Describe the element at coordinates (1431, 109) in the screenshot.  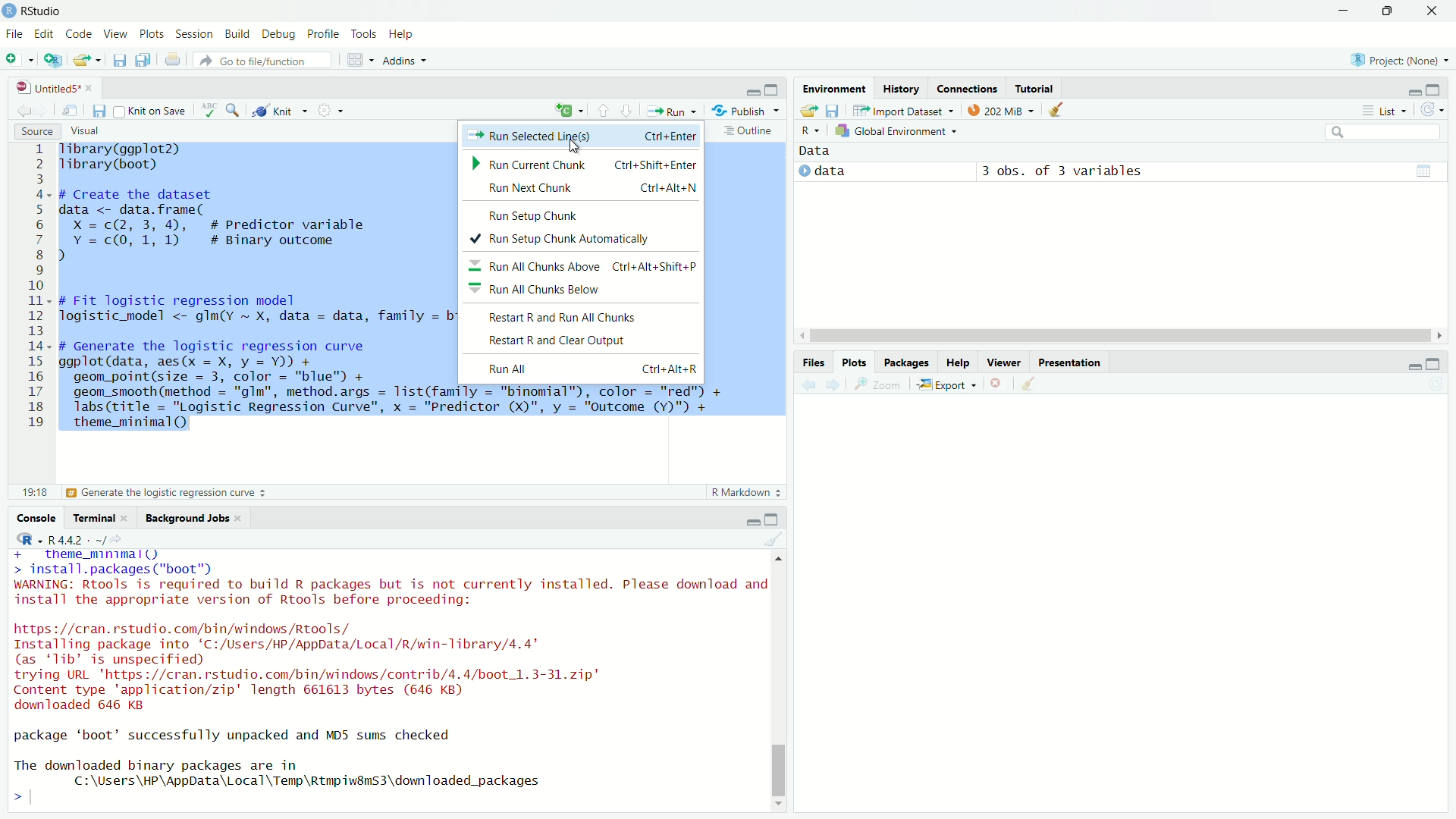
I see `Refresh the list of objects in the environment` at that location.